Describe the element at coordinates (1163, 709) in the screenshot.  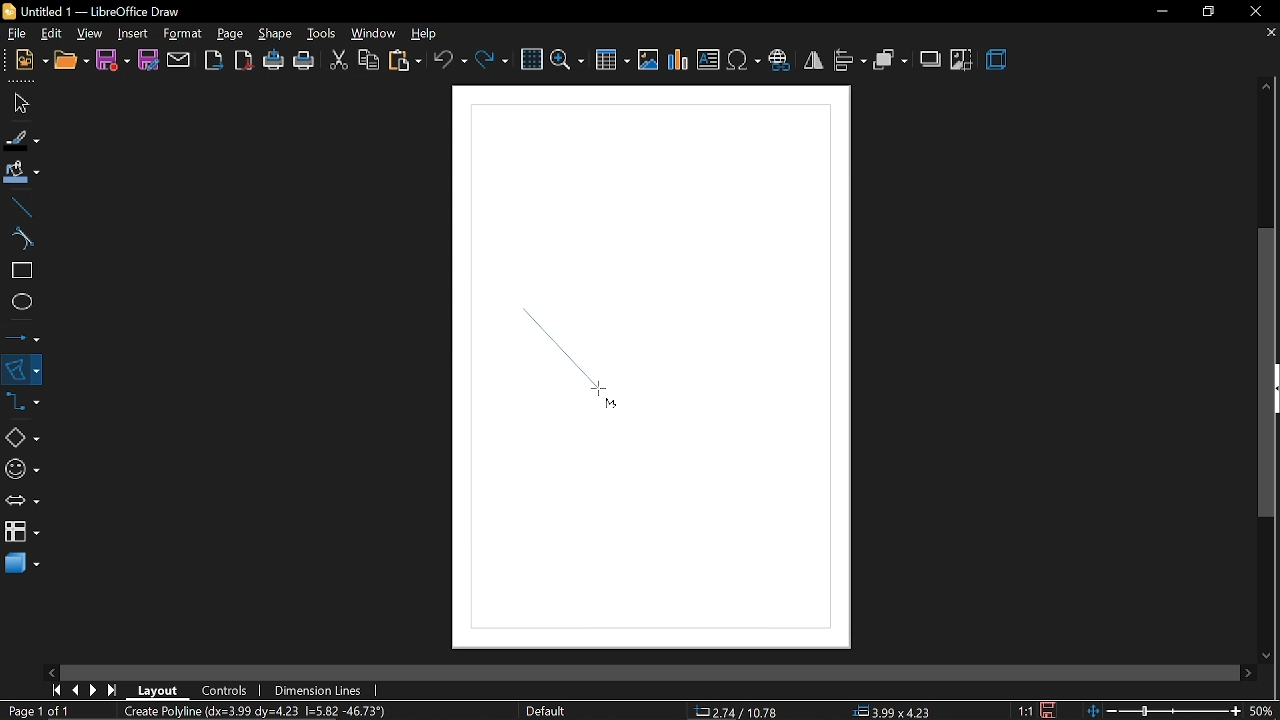
I see `change zoom` at that location.